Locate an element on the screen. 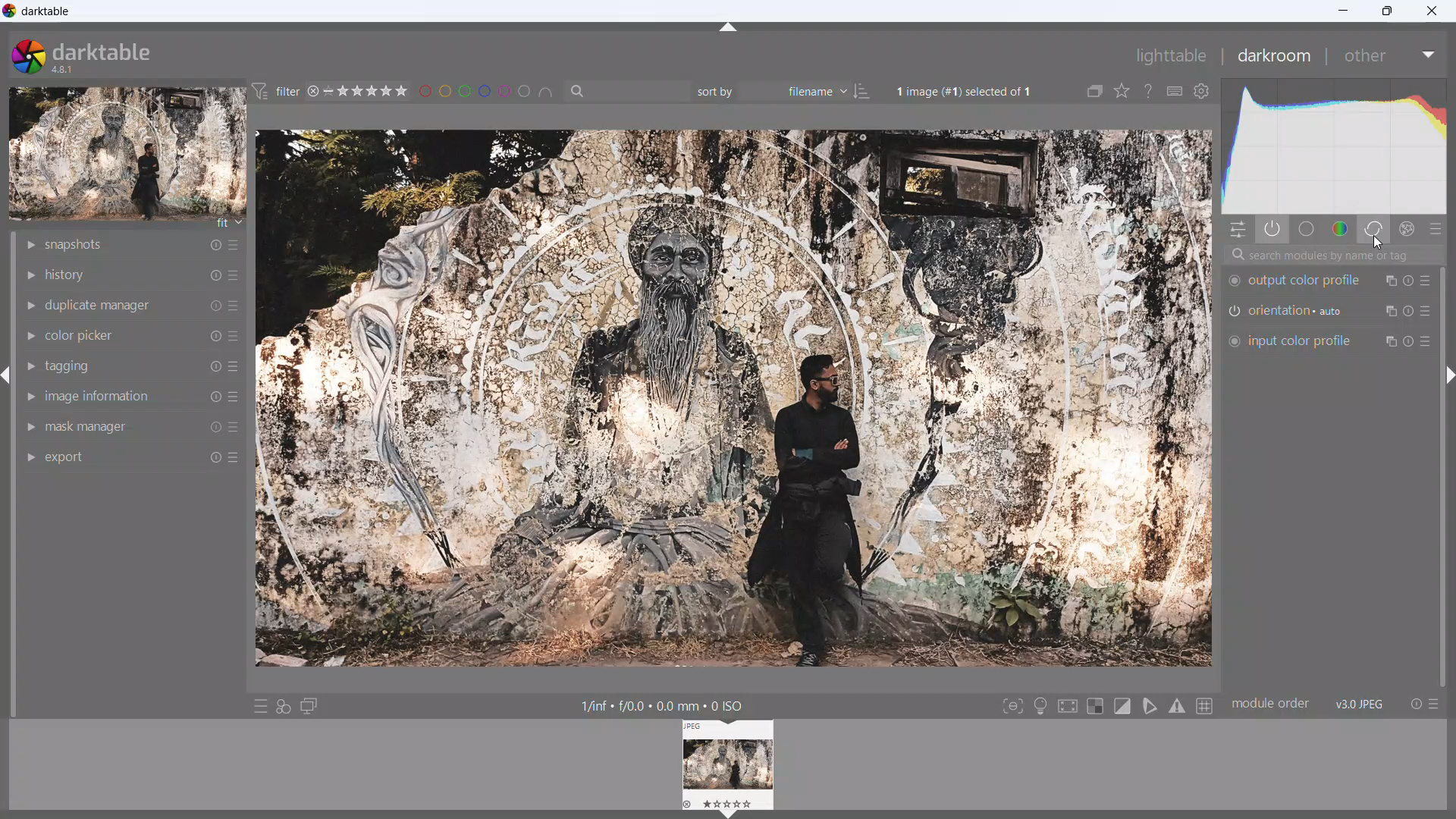 Image resolution: width=1456 pixels, height=819 pixels. maximize is located at coordinates (1387, 11).